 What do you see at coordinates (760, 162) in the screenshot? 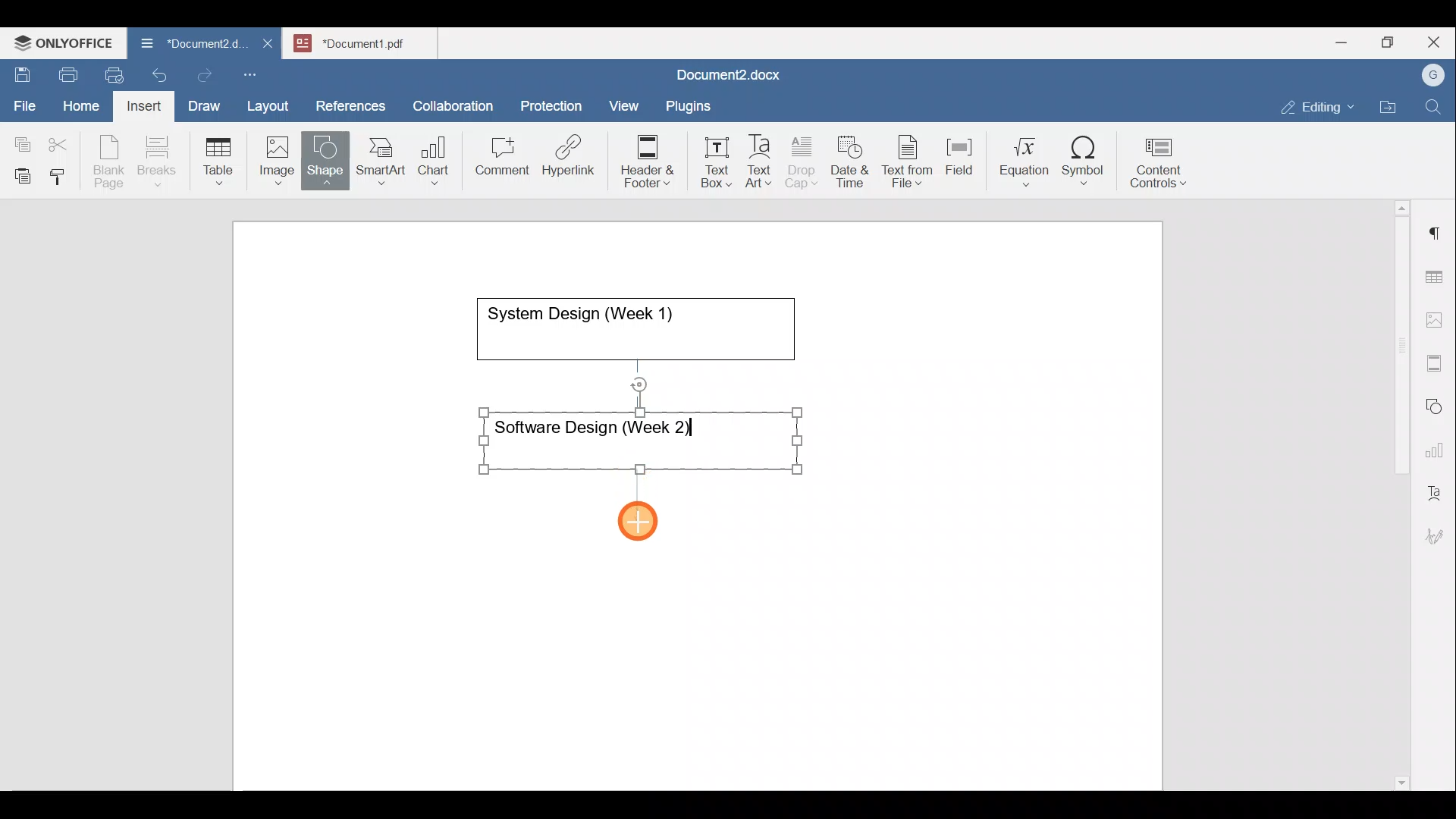
I see `Text Art` at bounding box center [760, 162].